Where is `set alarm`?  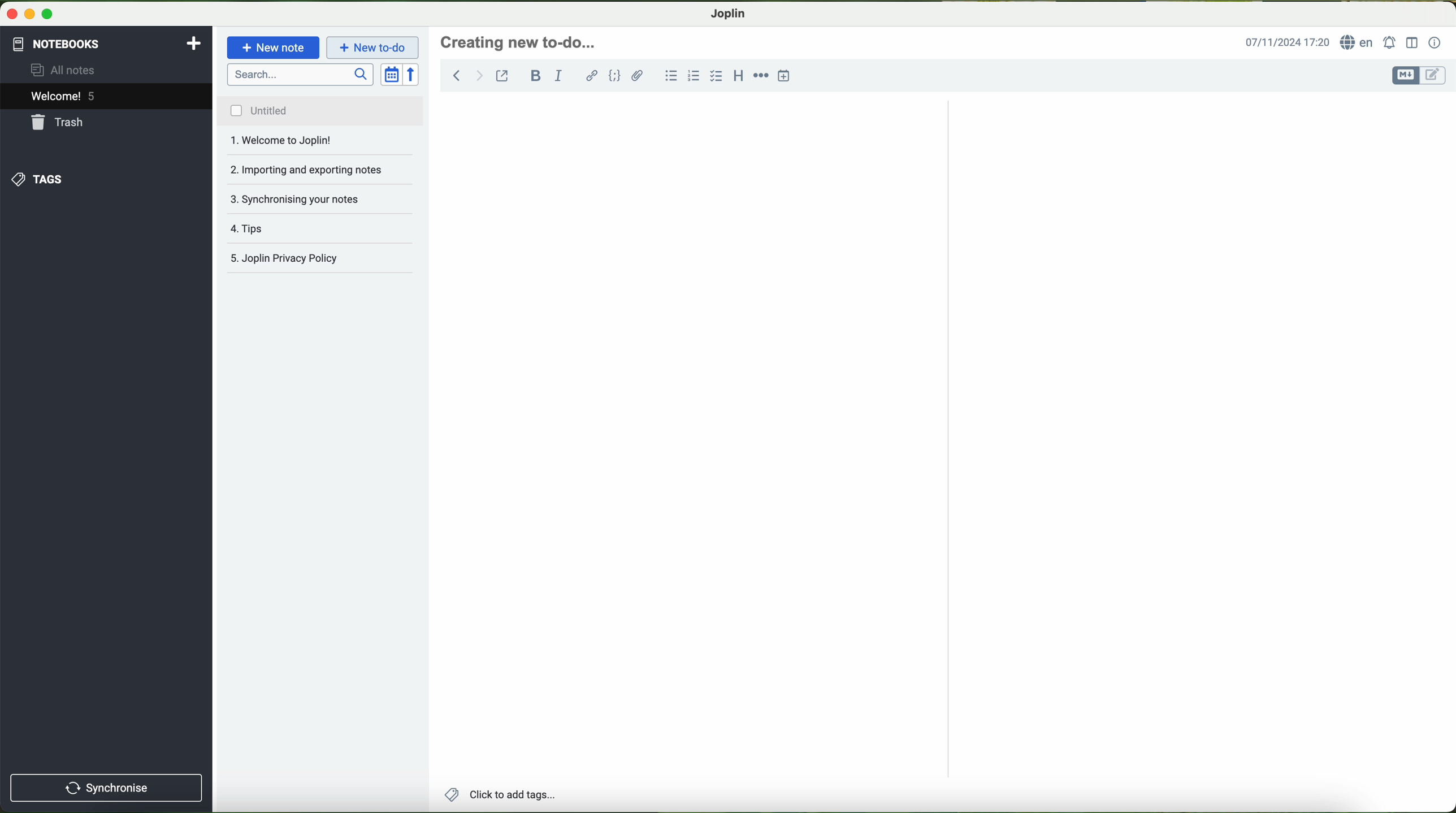 set alarm is located at coordinates (1391, 42).